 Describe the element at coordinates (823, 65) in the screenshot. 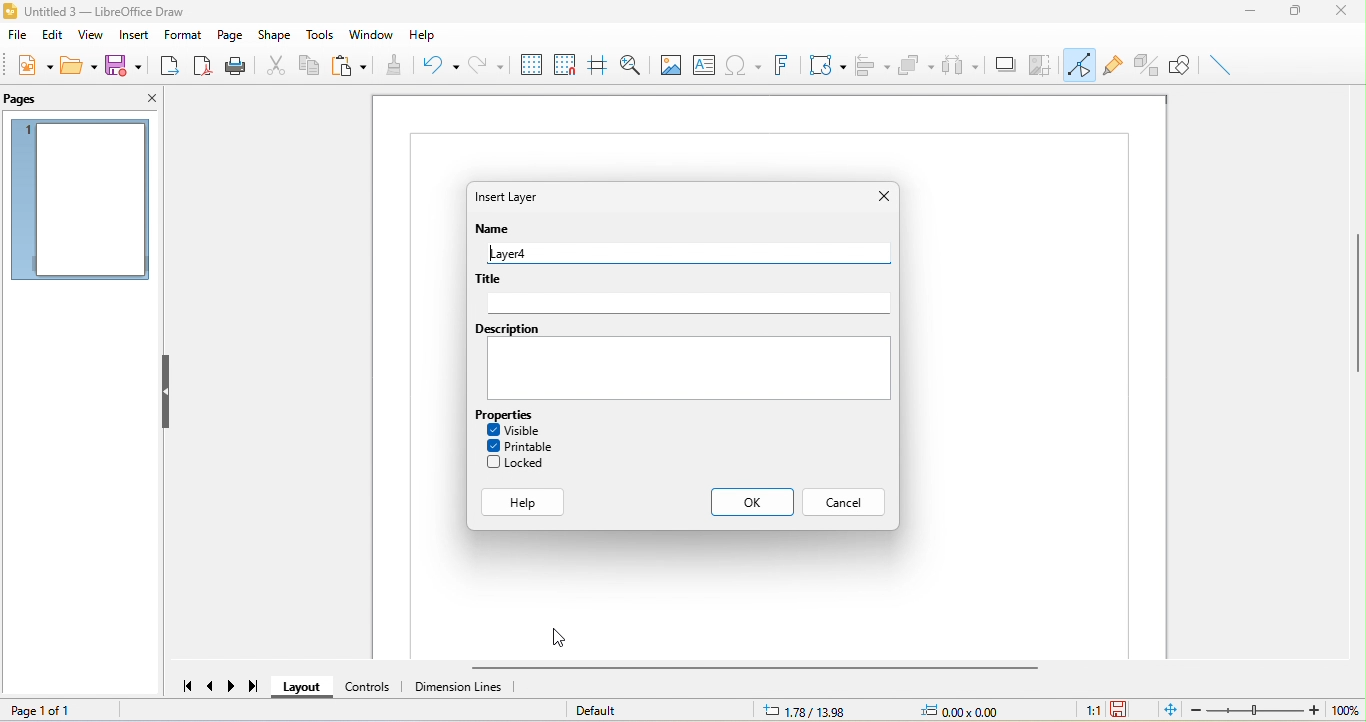

I see `transformation` at that location.